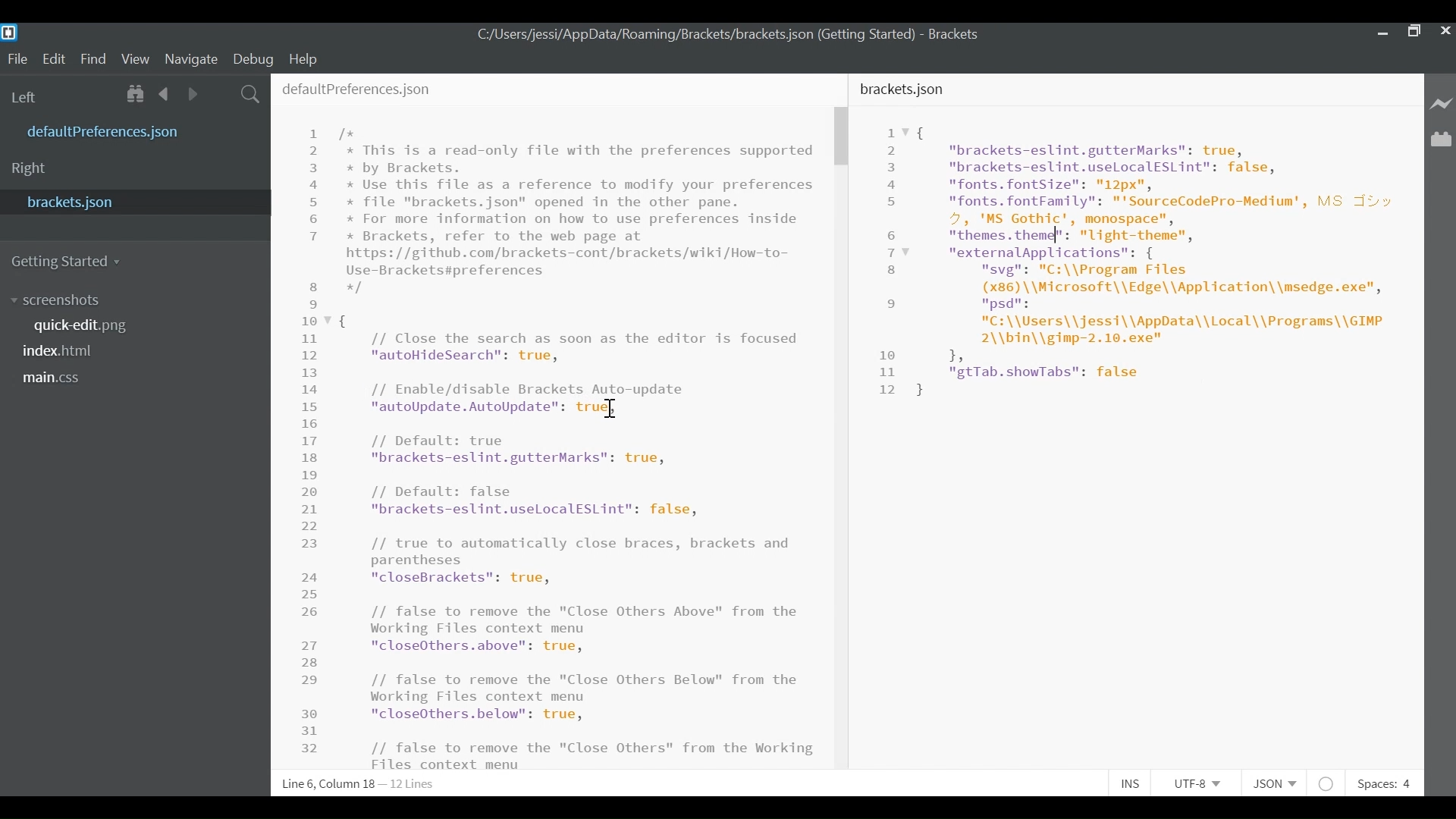 This screenshot has width=1456, height=819. Describe the element at coordinates (54, 58) in the screenshot. I see `Edit` at that location.